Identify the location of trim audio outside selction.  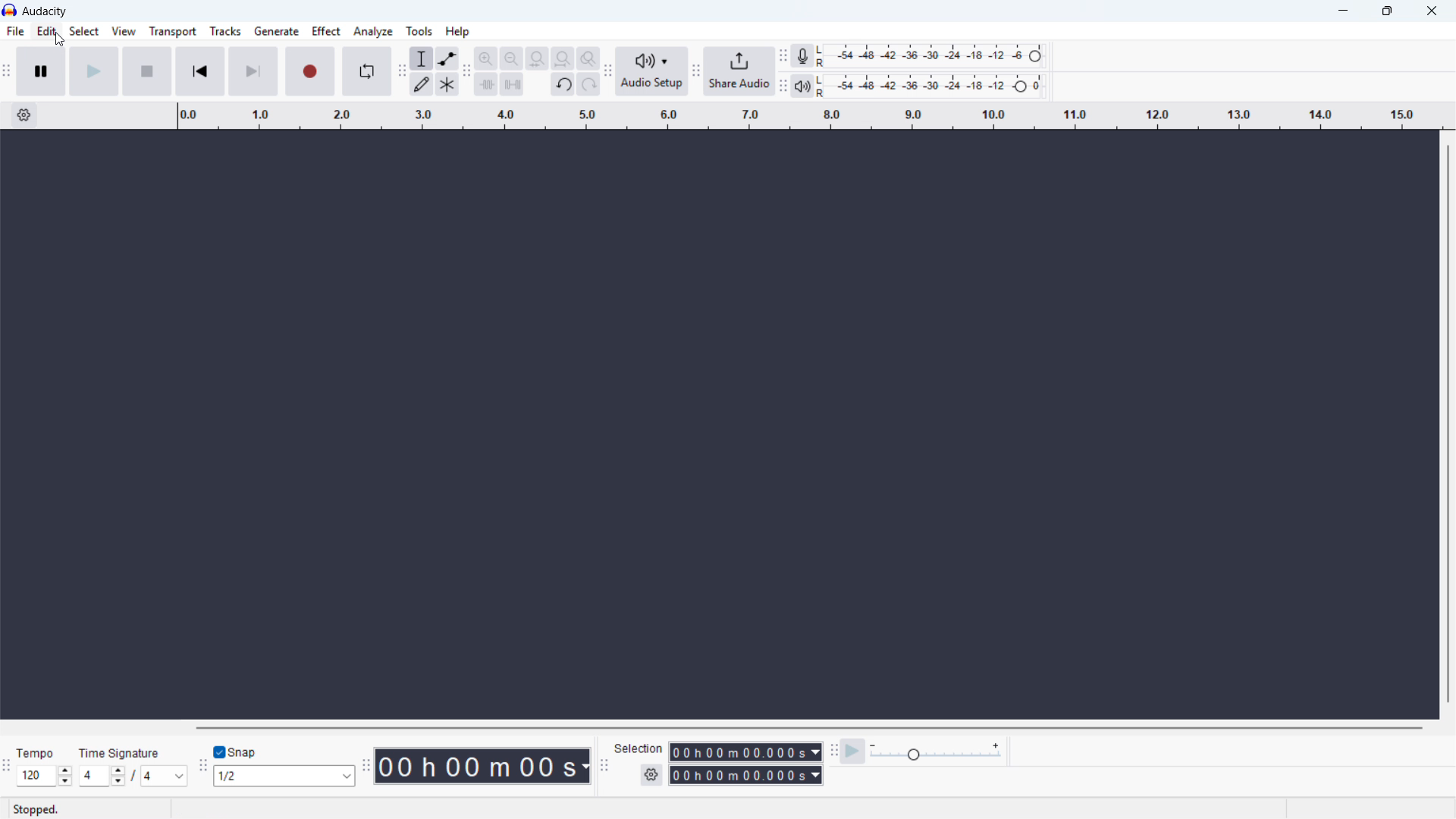
(486, 83).